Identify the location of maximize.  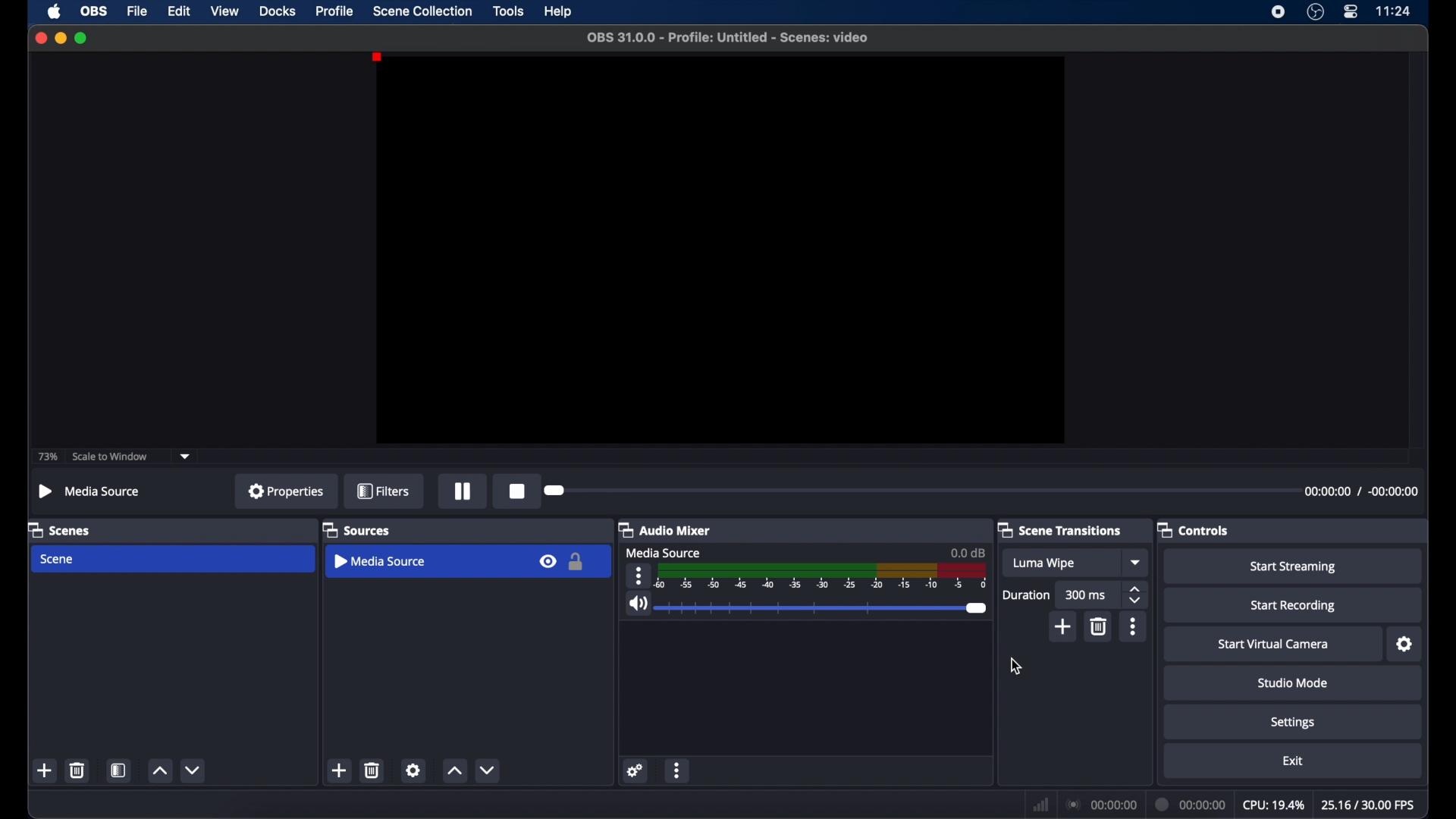
(82, 38).